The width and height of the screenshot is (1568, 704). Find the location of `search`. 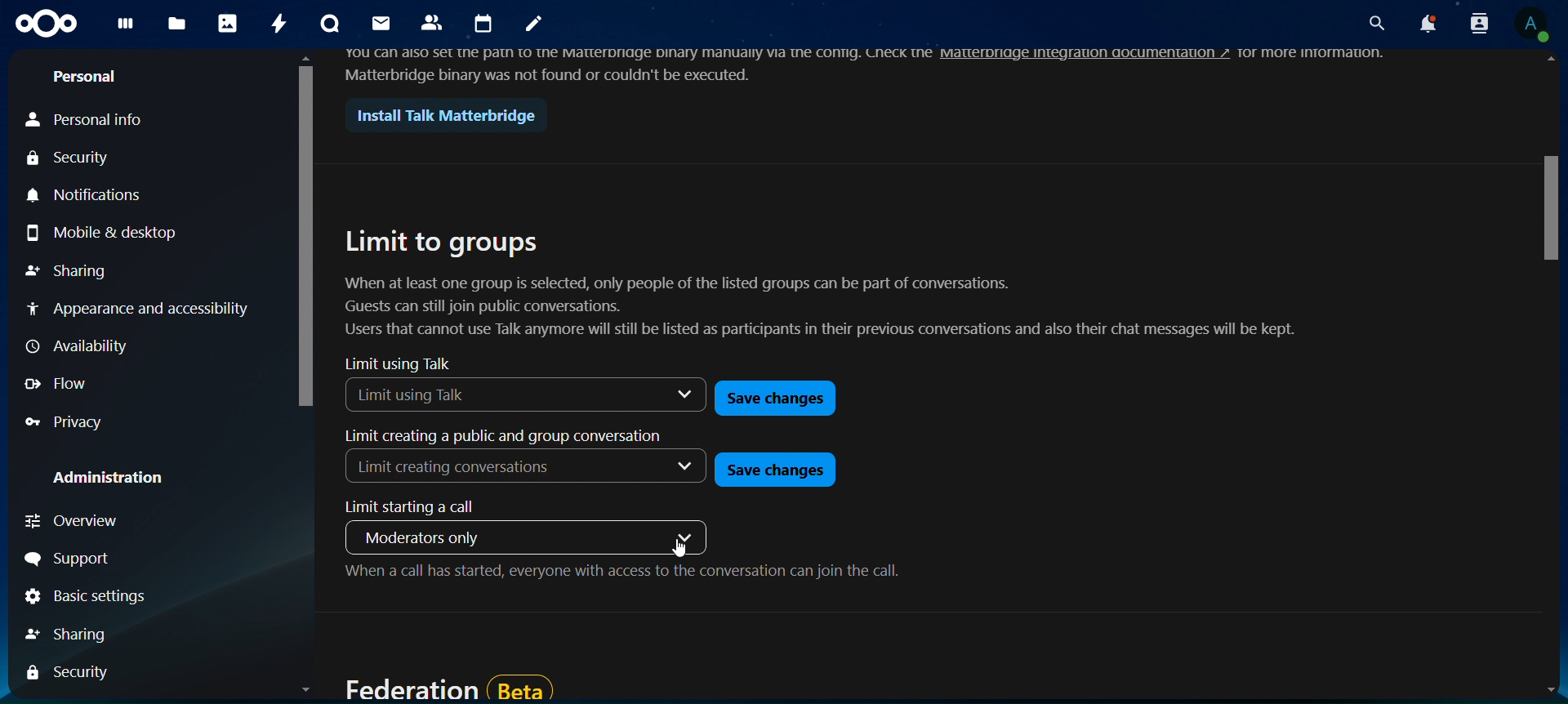

search is located at coordinates (1373, 25).